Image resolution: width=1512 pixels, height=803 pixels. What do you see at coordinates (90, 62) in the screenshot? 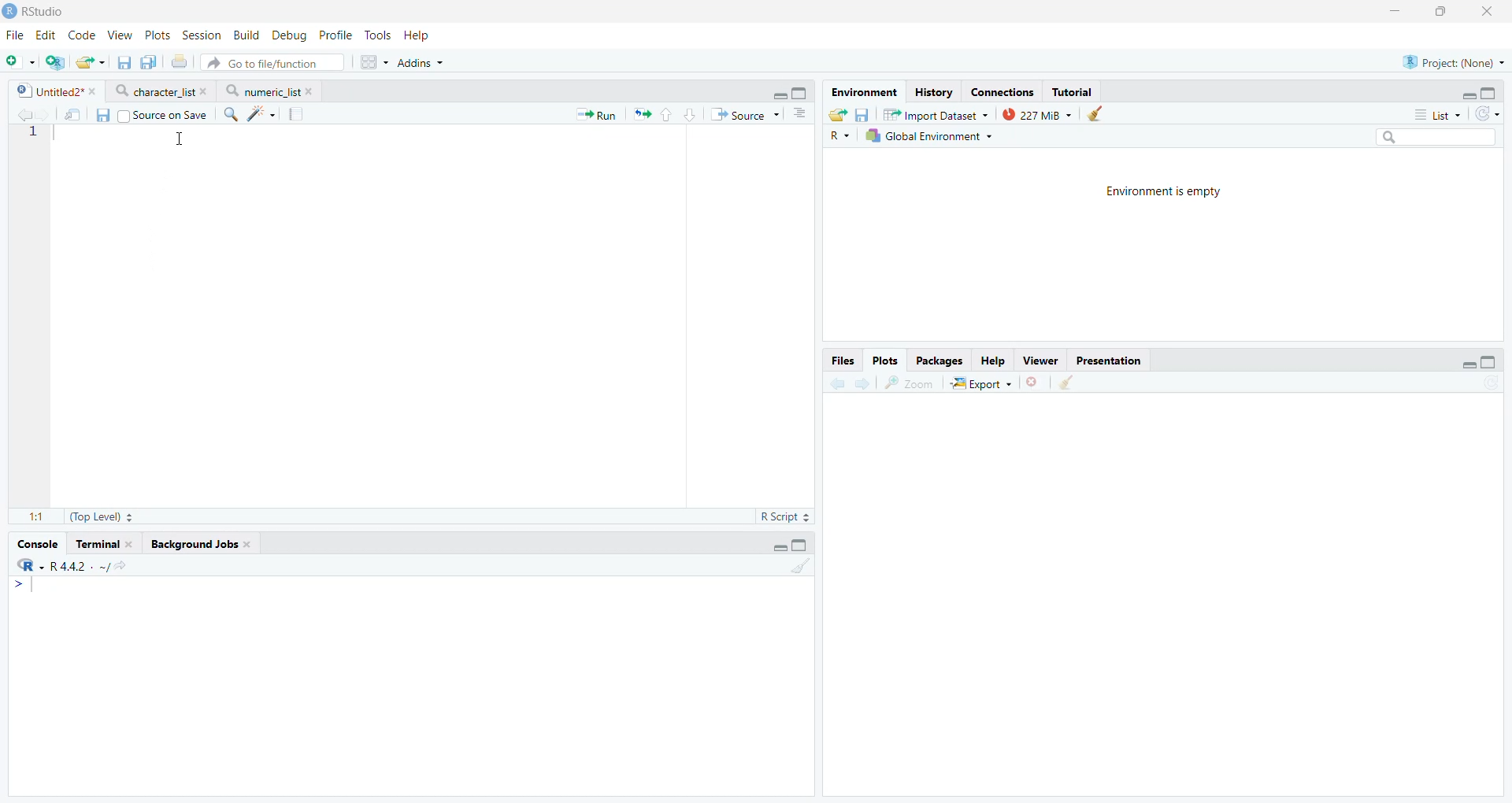
I see `Open exisitng file` at bounding box center [90, 62].